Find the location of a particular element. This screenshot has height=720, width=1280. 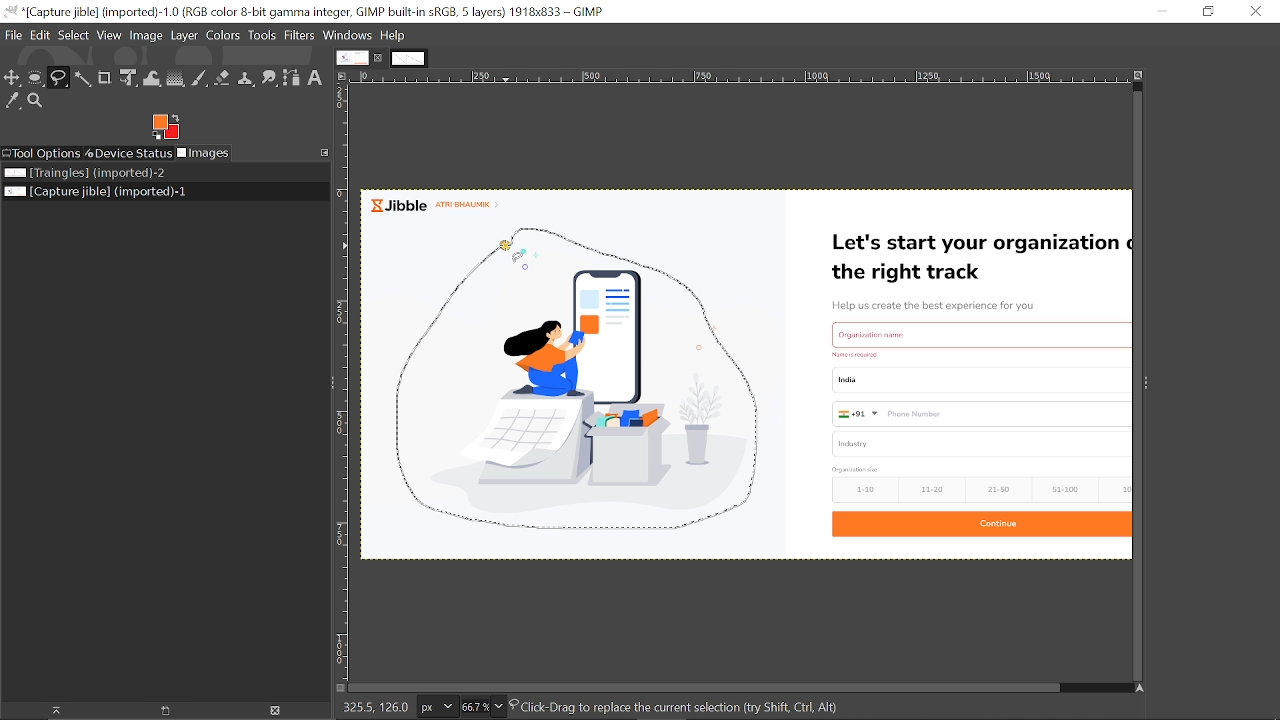

Path tool is located at coordinates (293, 78).